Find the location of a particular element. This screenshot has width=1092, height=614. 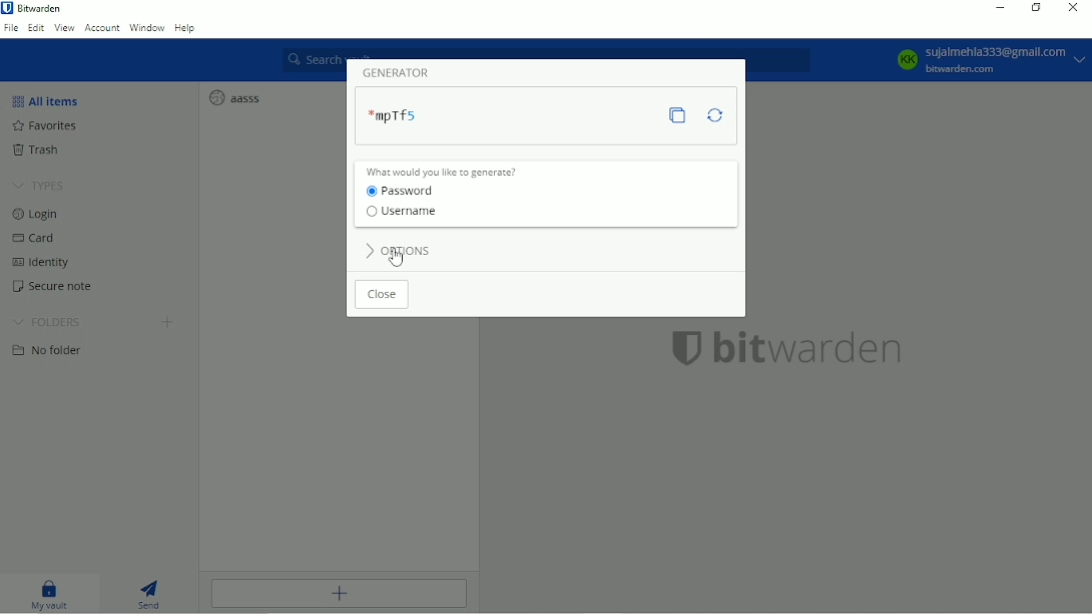

Close is located at coordinates (1074, 7).